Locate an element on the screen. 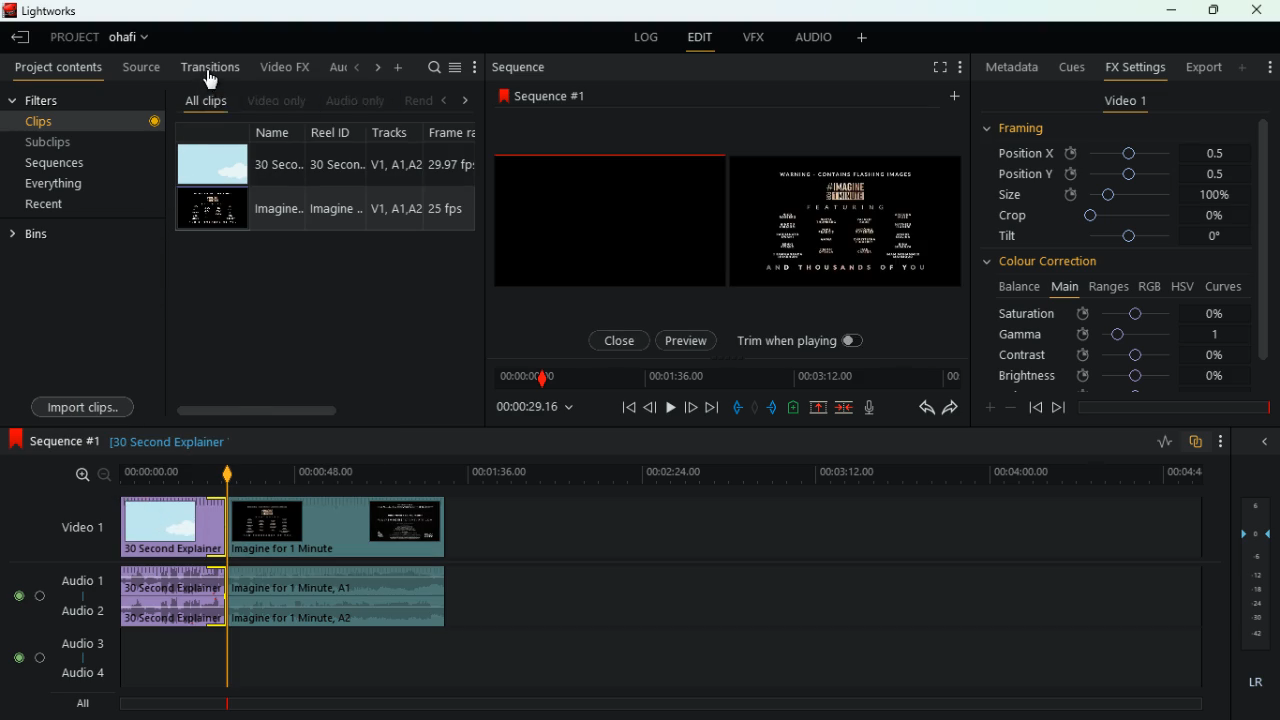  play is located at coordinates (667, 407).